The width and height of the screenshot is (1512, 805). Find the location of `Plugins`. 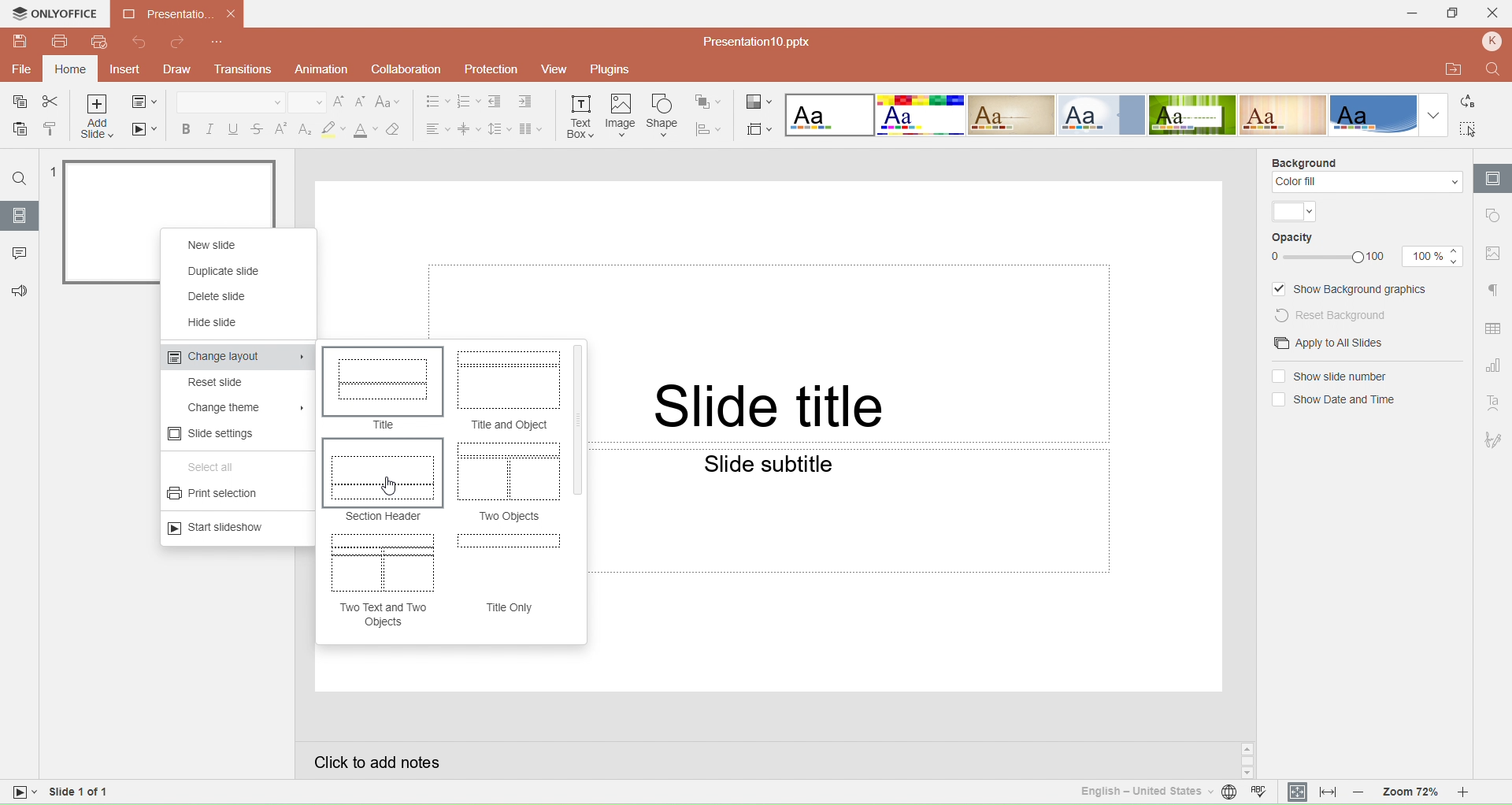

Plugins is located at coordinates (617, 70).